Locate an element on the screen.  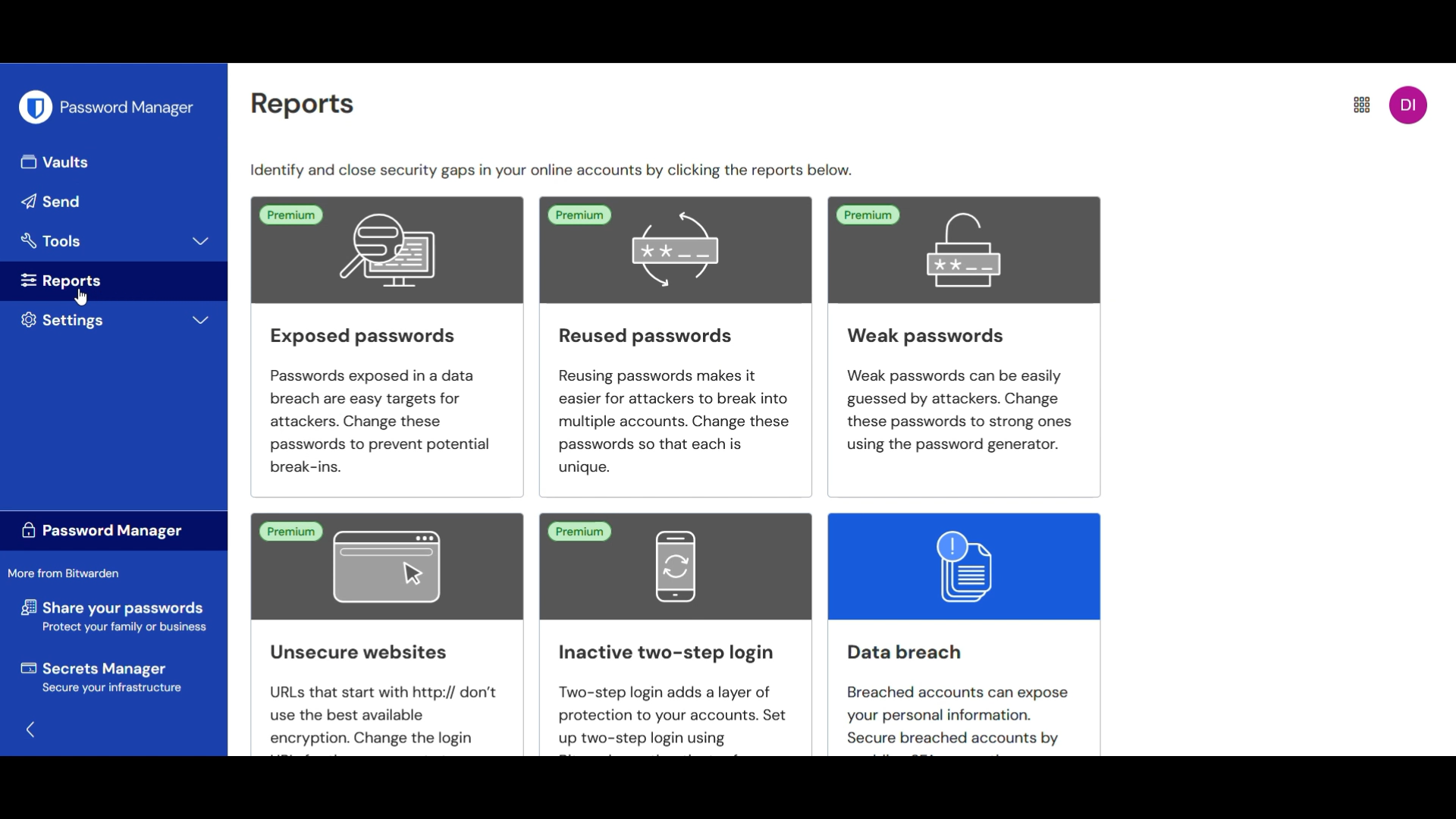
Settings is located at coordinates (113, 319).